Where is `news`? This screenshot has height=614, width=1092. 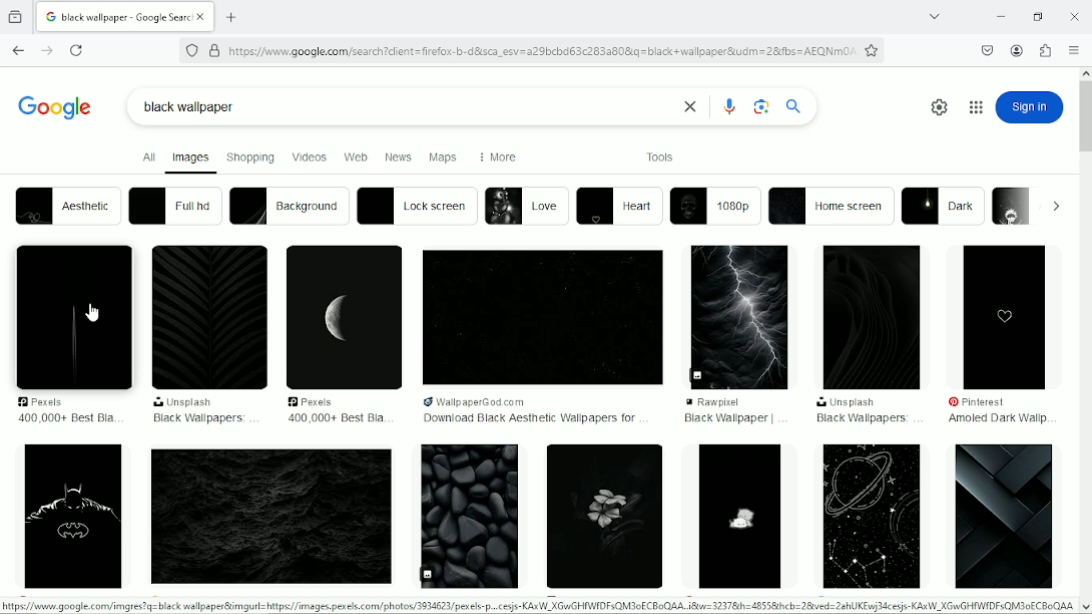 news is located at coordinates (399, 157).